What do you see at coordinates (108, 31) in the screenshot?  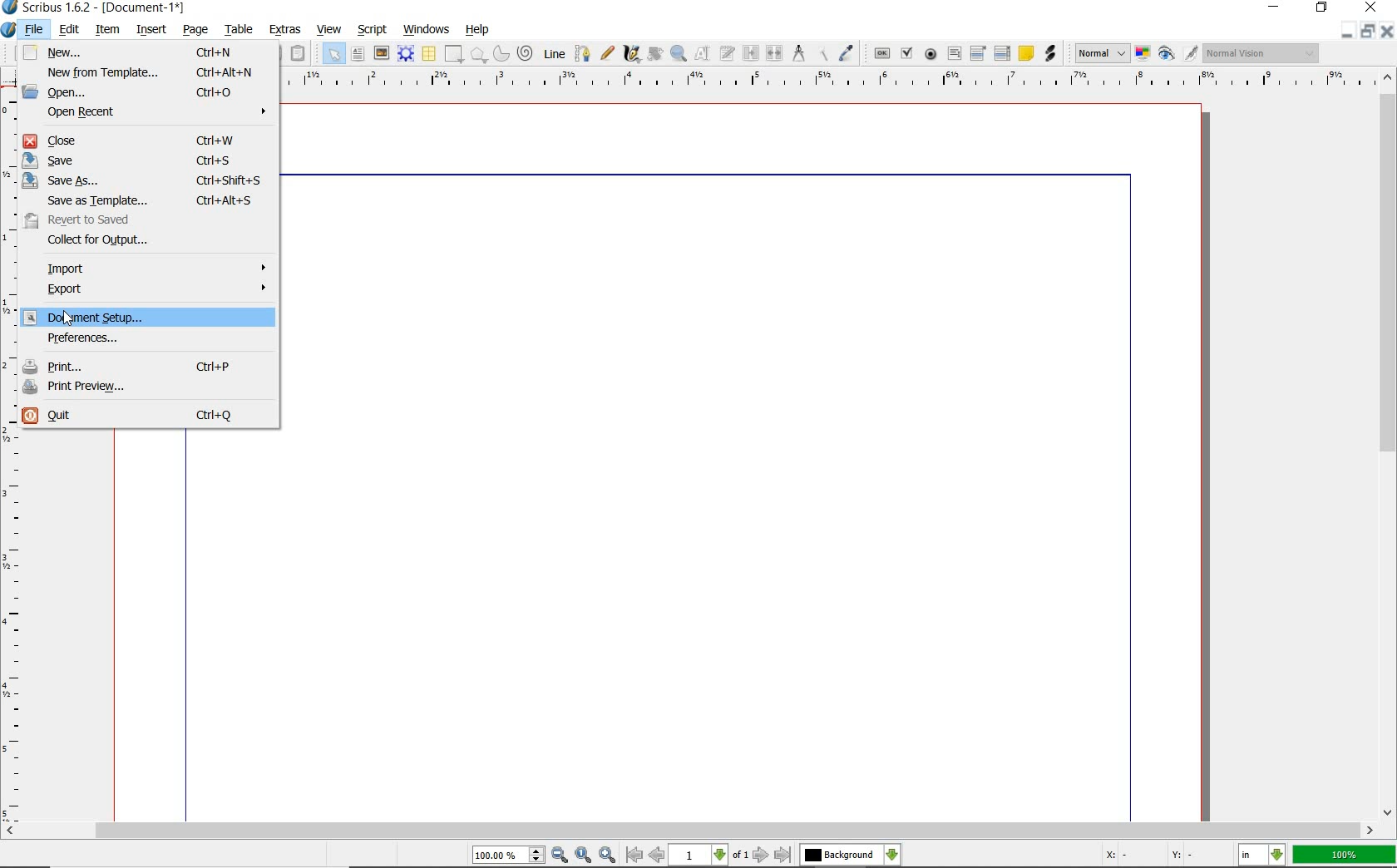 I see `item` at bounding box center [108, 31].